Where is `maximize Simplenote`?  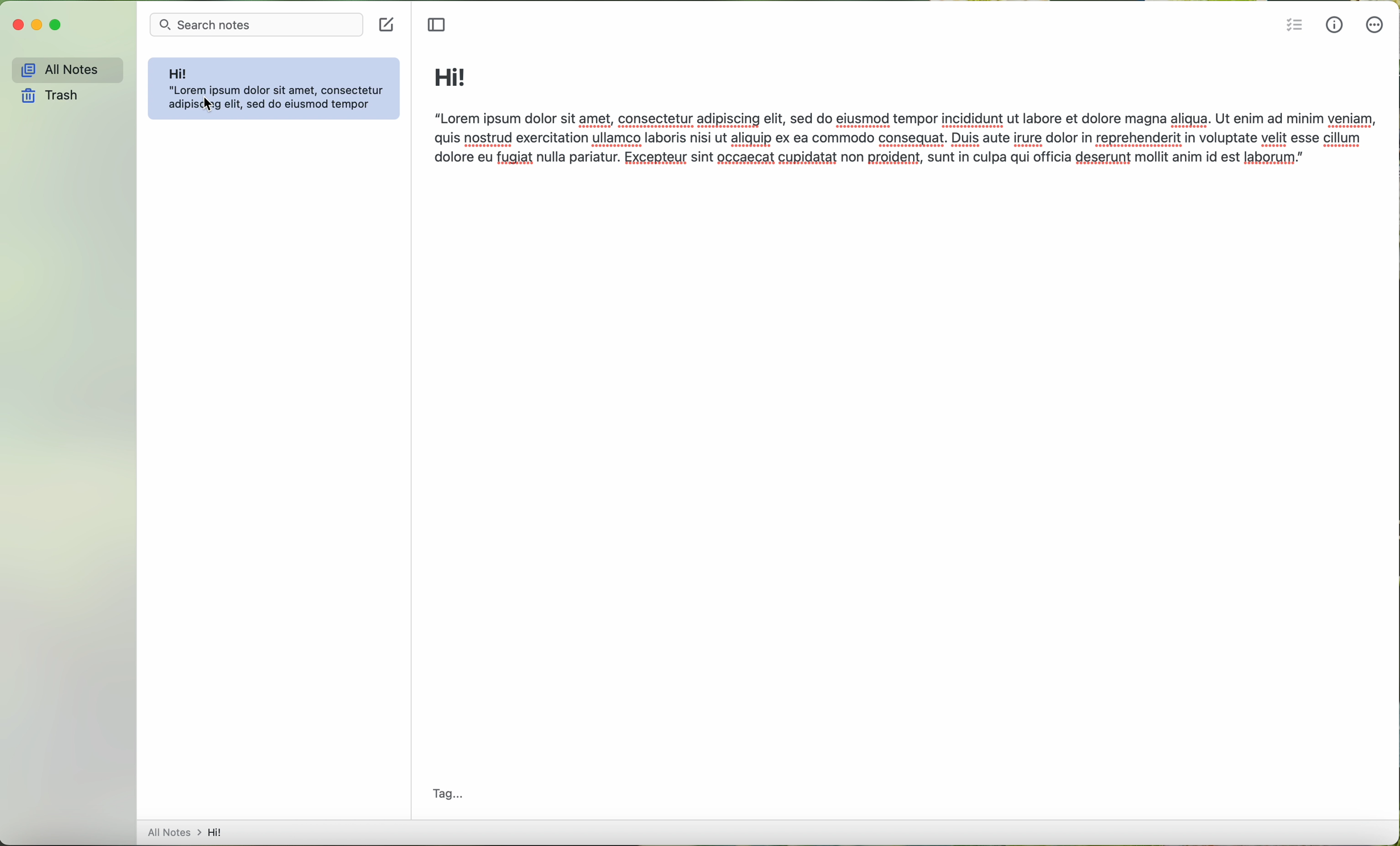 maximize Simplenote is located at coordinates (60, 25).